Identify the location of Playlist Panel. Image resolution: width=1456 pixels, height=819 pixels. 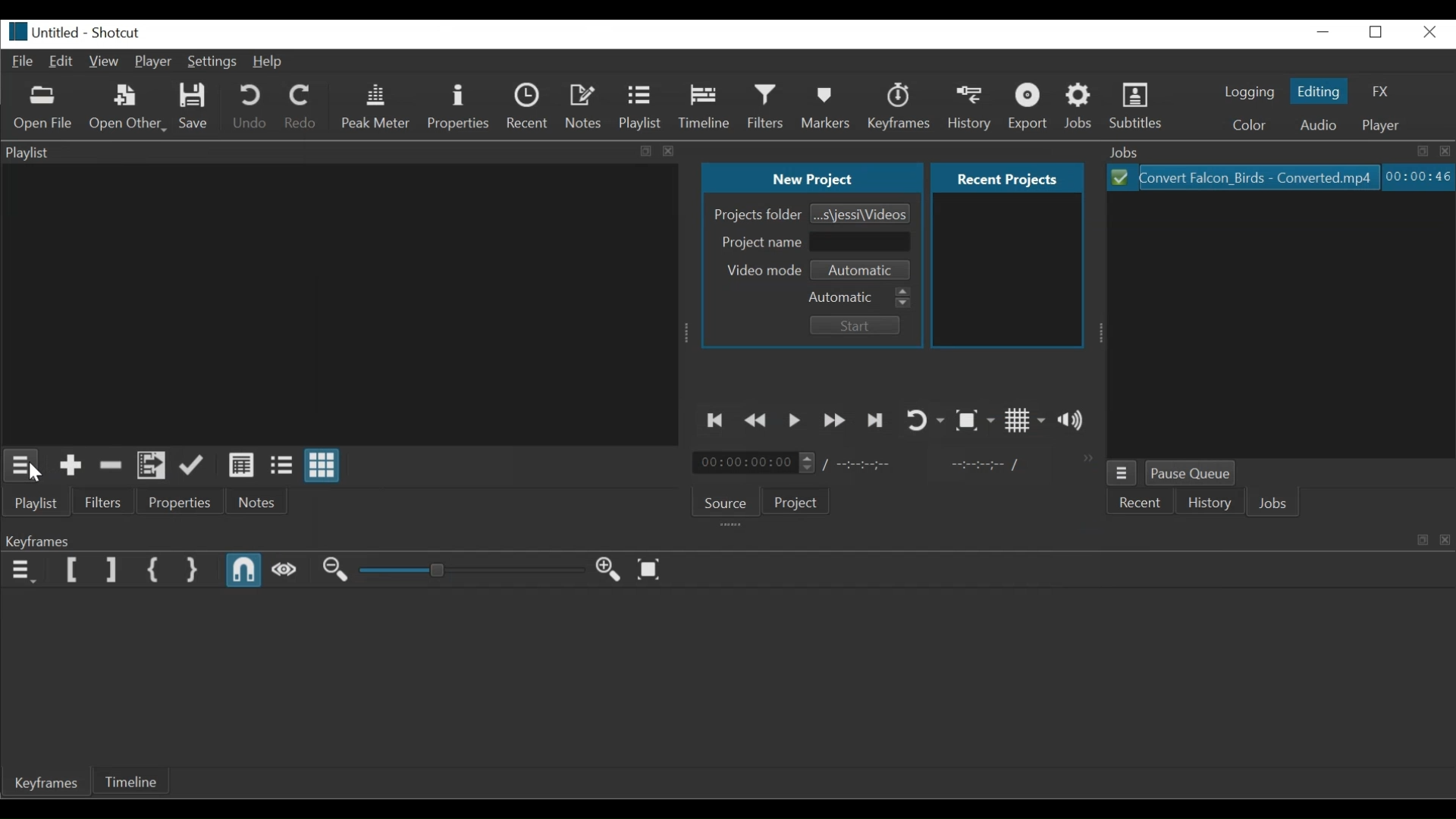
(338, 149).